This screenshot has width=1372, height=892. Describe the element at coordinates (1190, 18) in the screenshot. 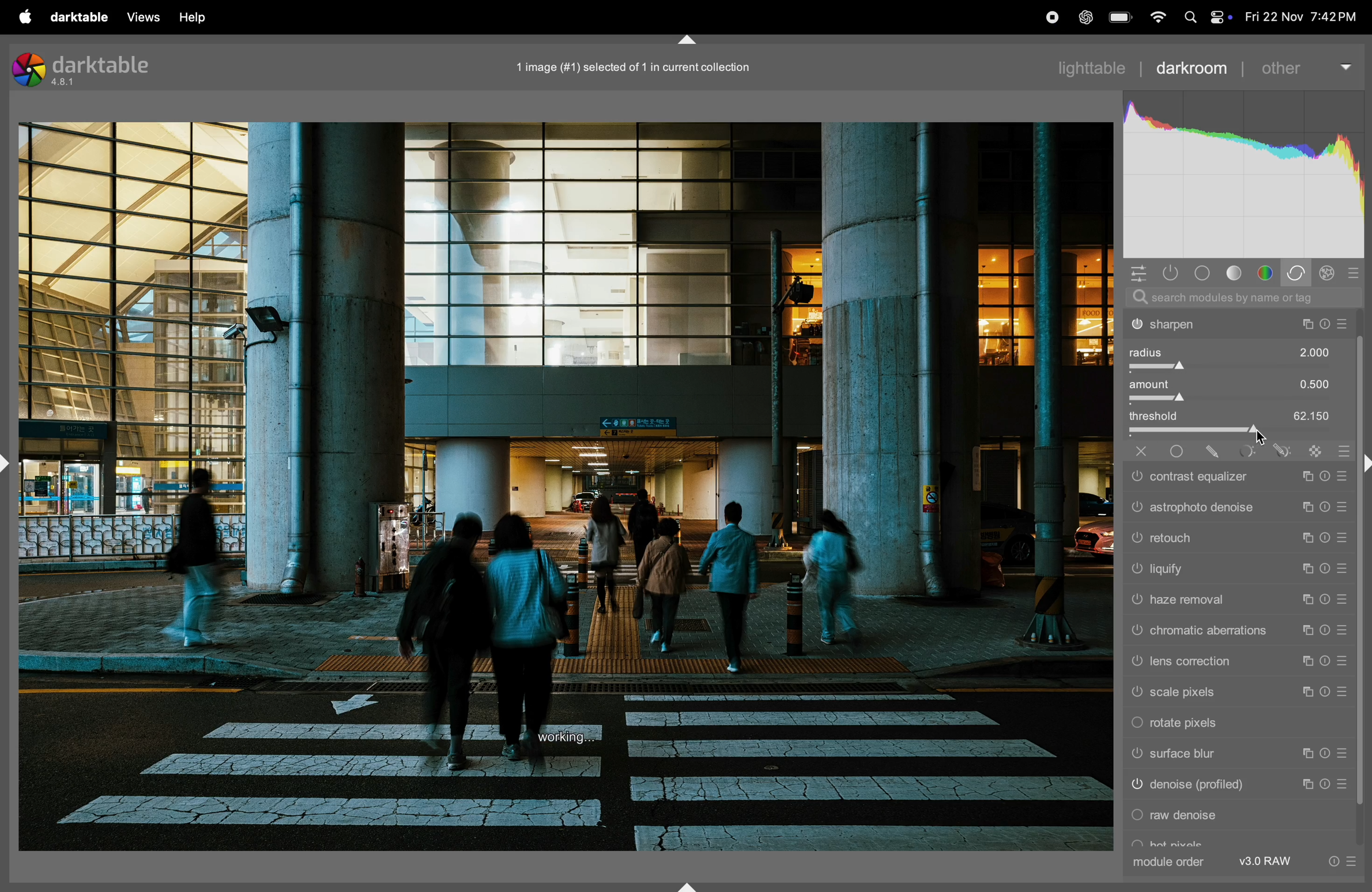

I see `spotlight search` at that location.